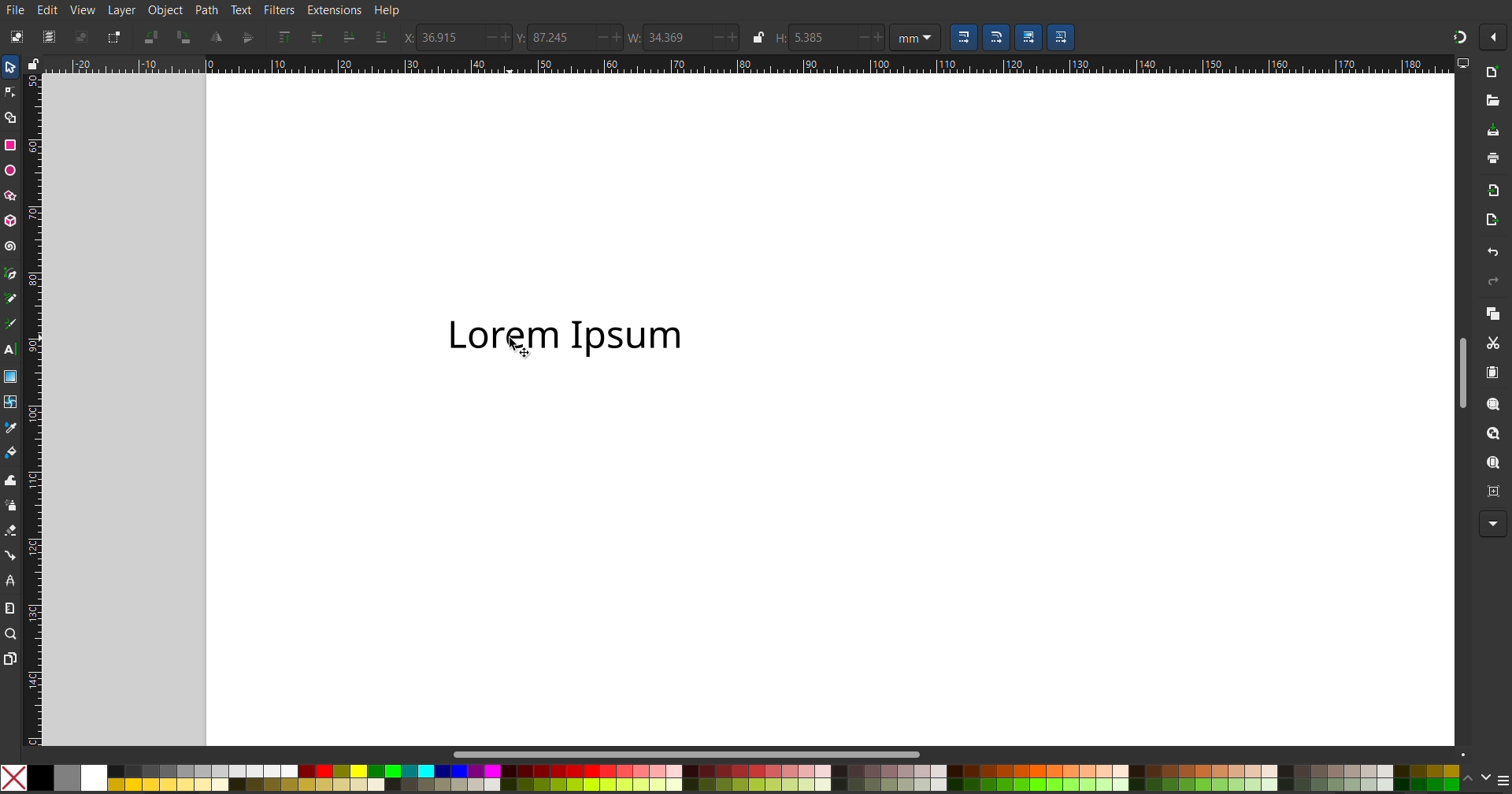  Describe the element at coordinates (13, 581) in the screenshot. I see `LPE Tool` at that location.